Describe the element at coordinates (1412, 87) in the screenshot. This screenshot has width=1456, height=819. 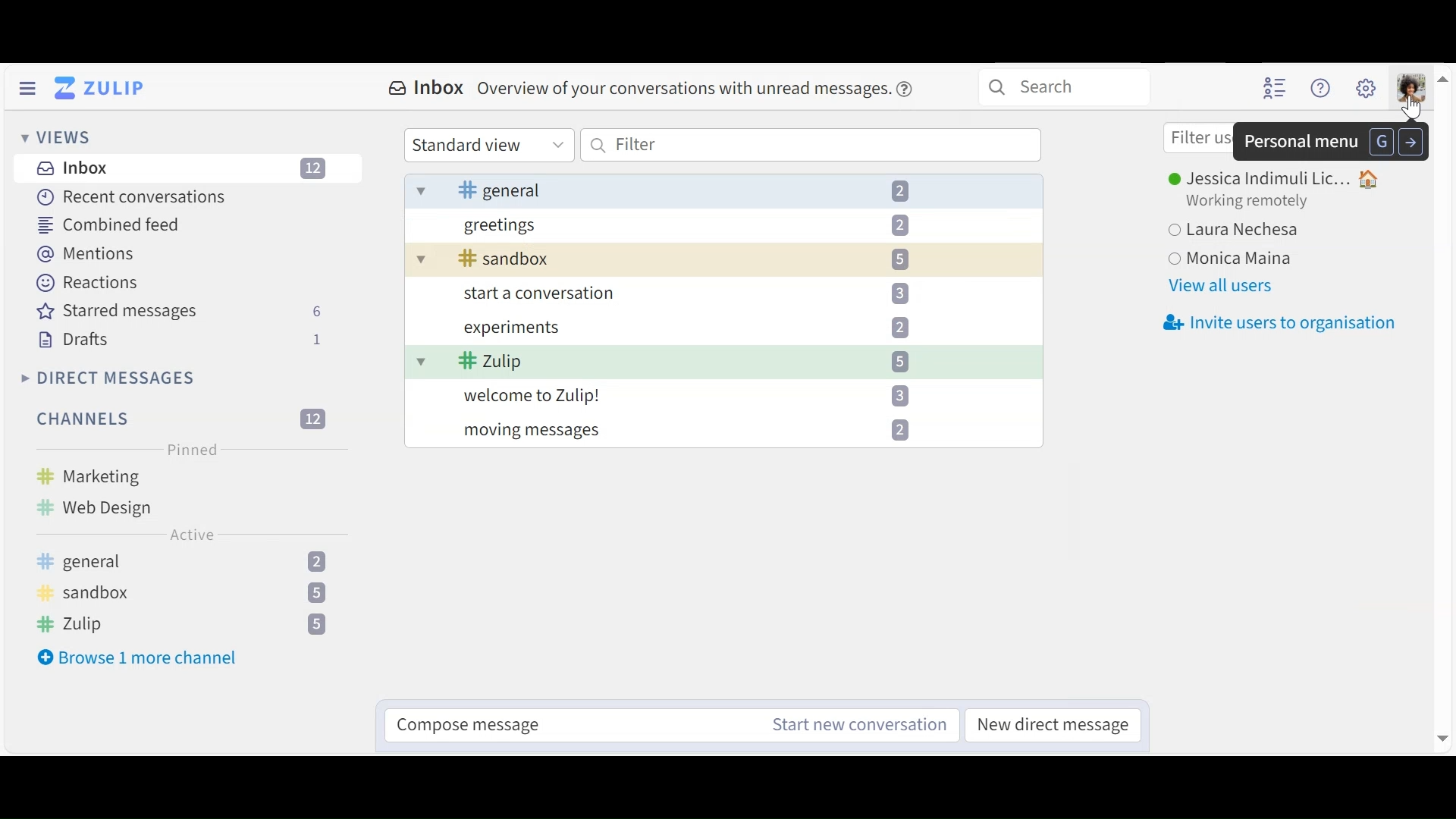
I see `Personal menu` at that location.